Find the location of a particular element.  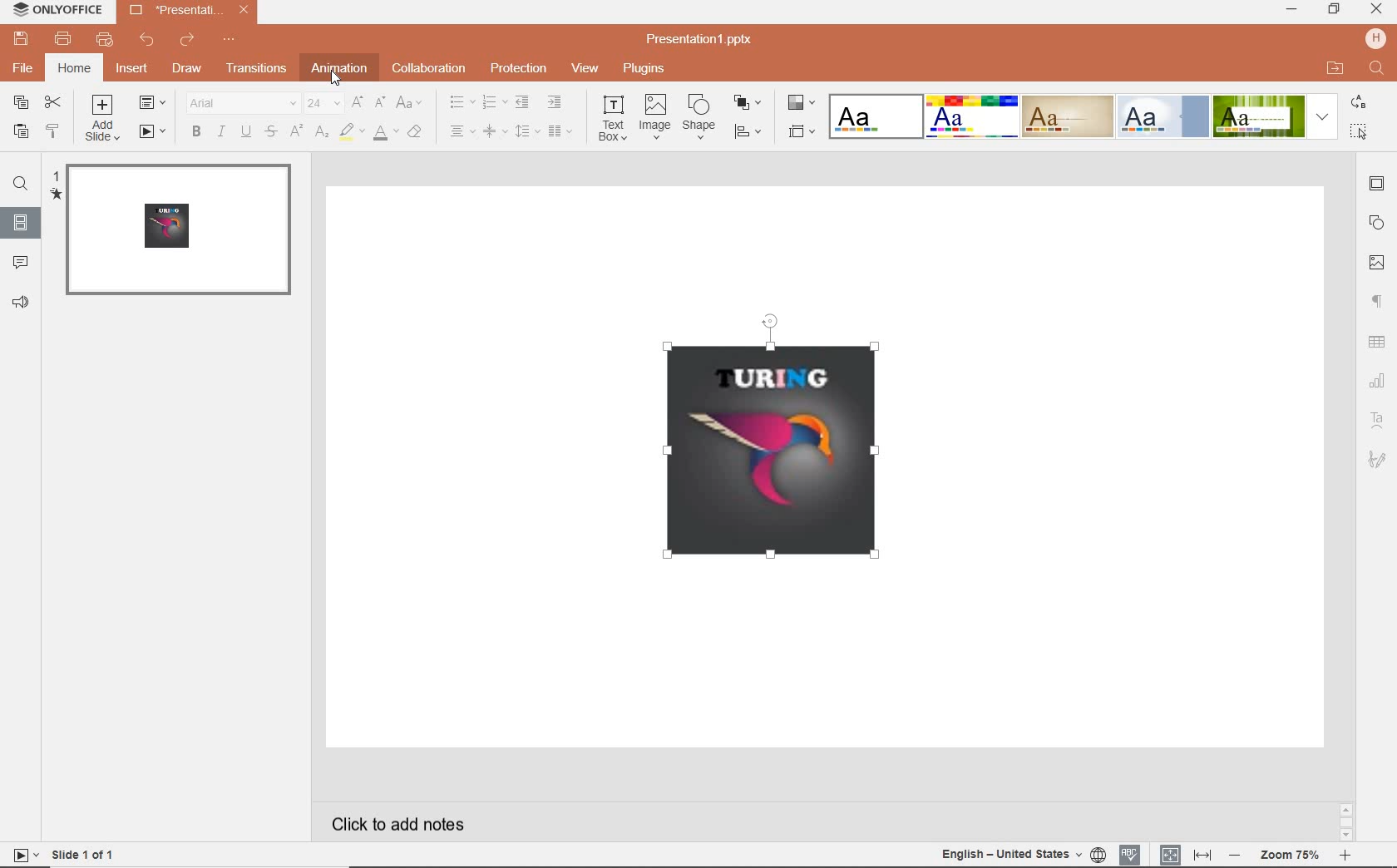

line spacing is located at coordinates (526, 132).